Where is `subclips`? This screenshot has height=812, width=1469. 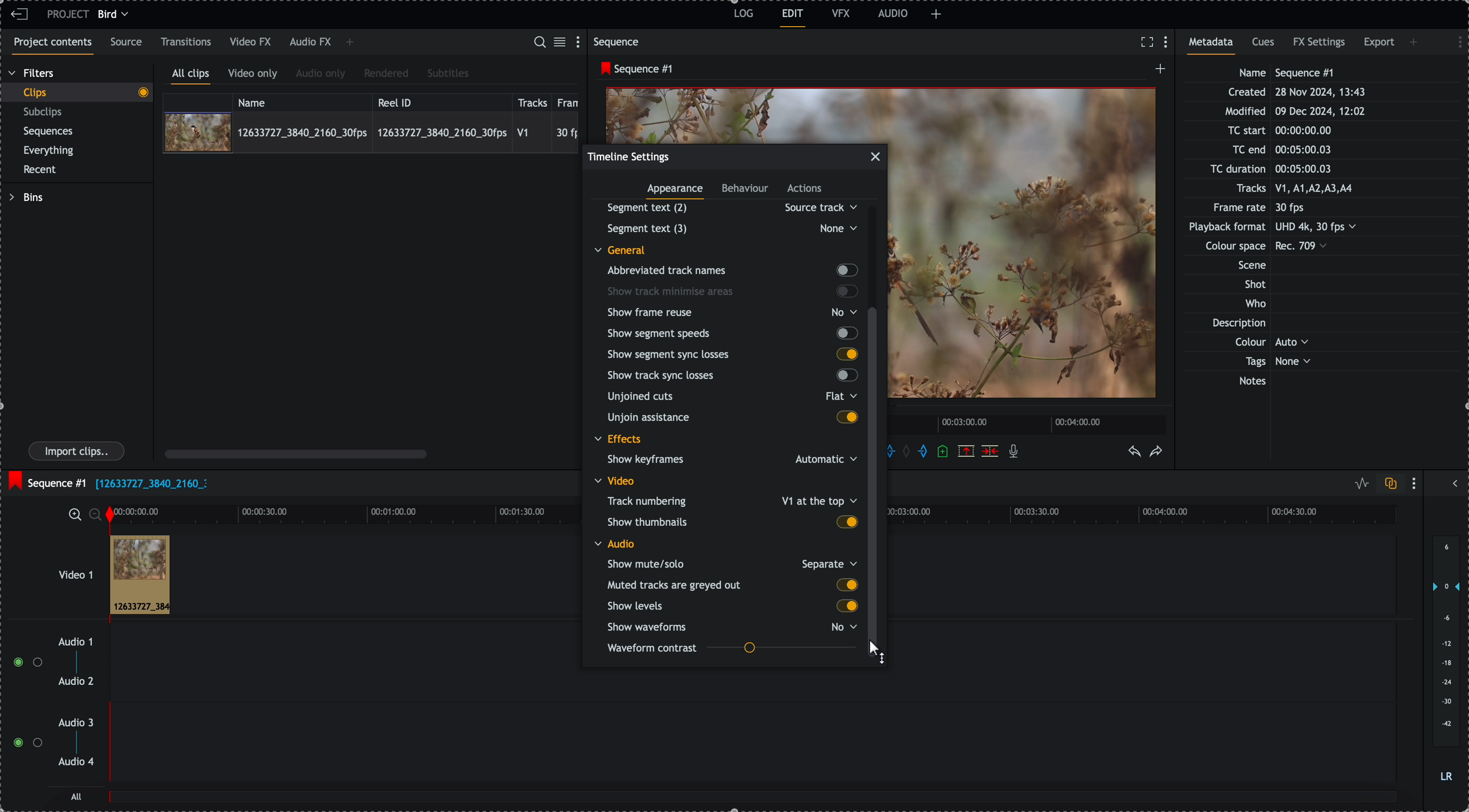
subclips is located at coordinates (45, 112).